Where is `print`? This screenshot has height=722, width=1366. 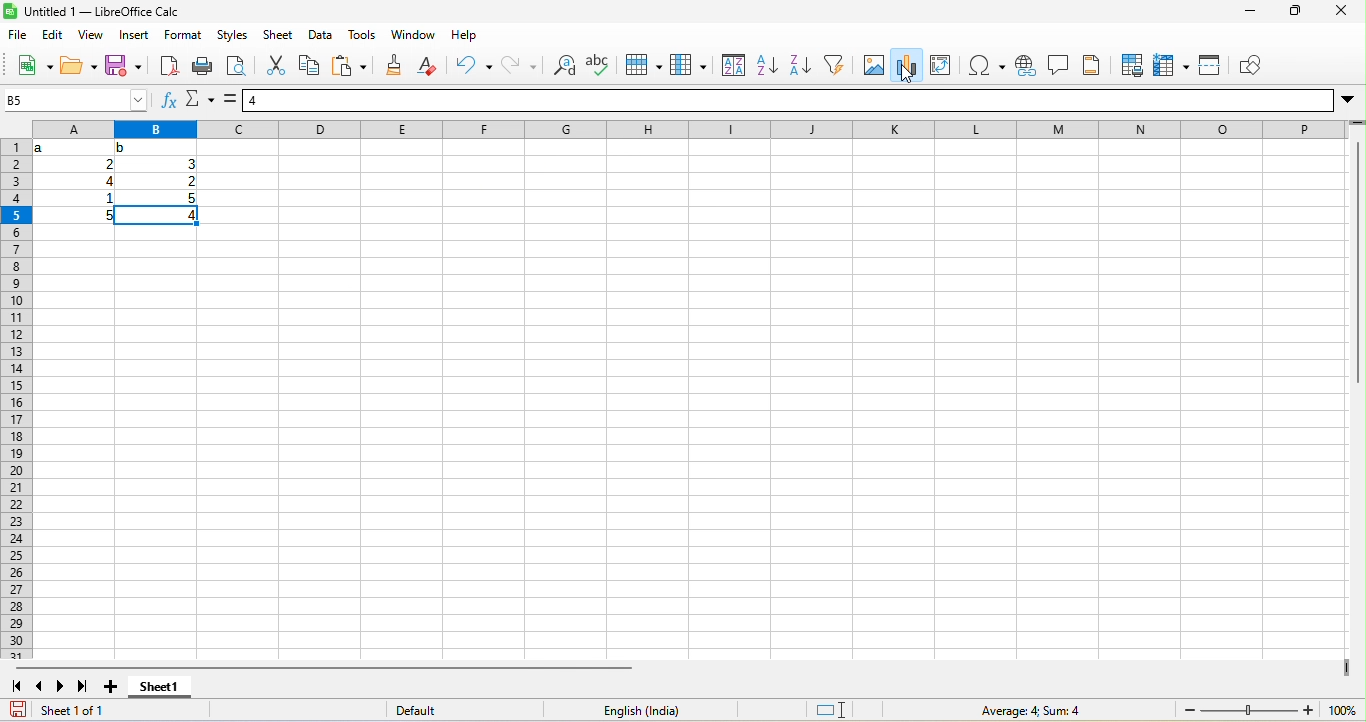
print is located at coordinates (203, 64).